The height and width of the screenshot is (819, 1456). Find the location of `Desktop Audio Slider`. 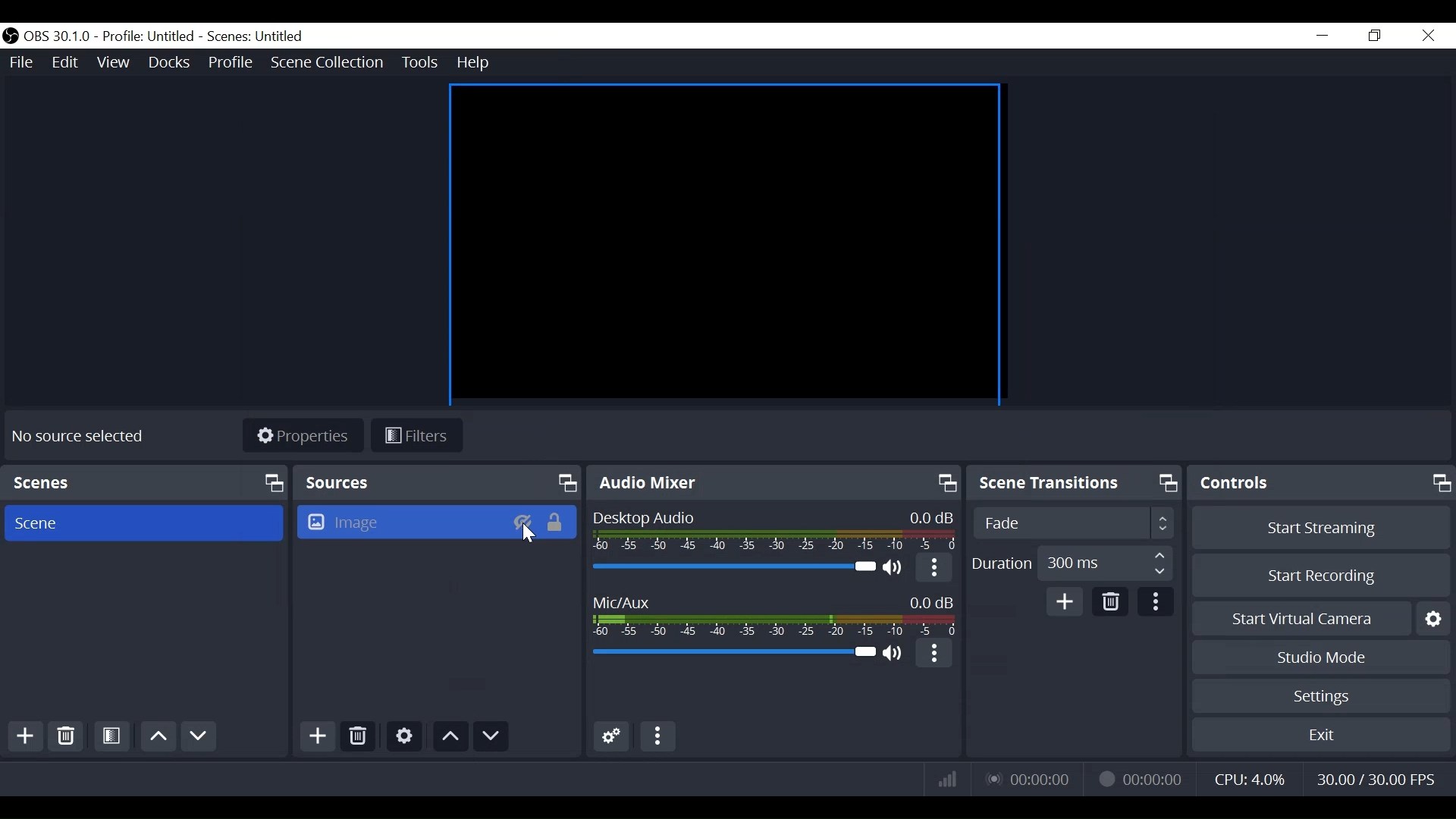

Desktop Audio Slider is located at coordinates (732, 566).